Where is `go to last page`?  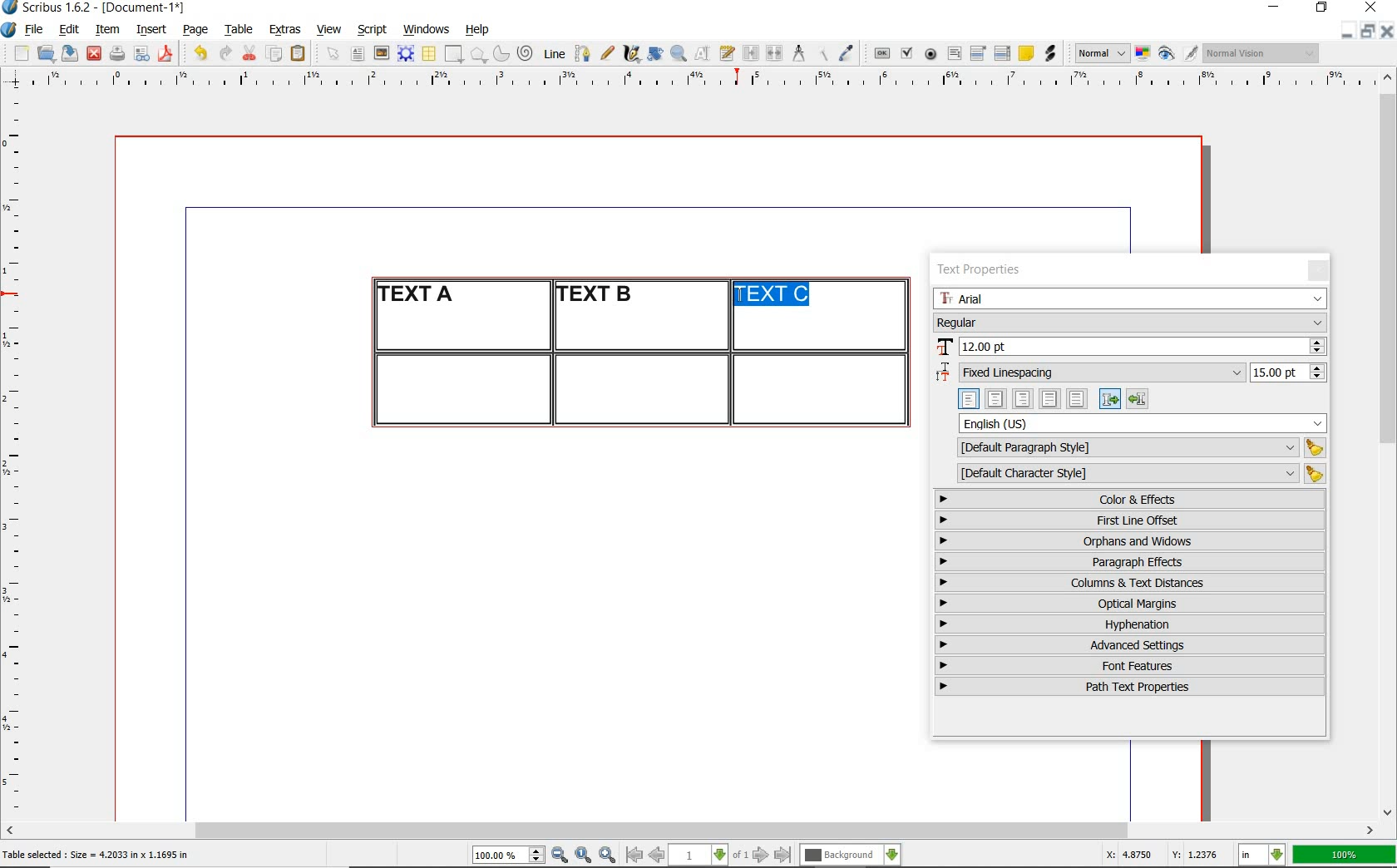
go to last page is located at coordinates (783, 856).